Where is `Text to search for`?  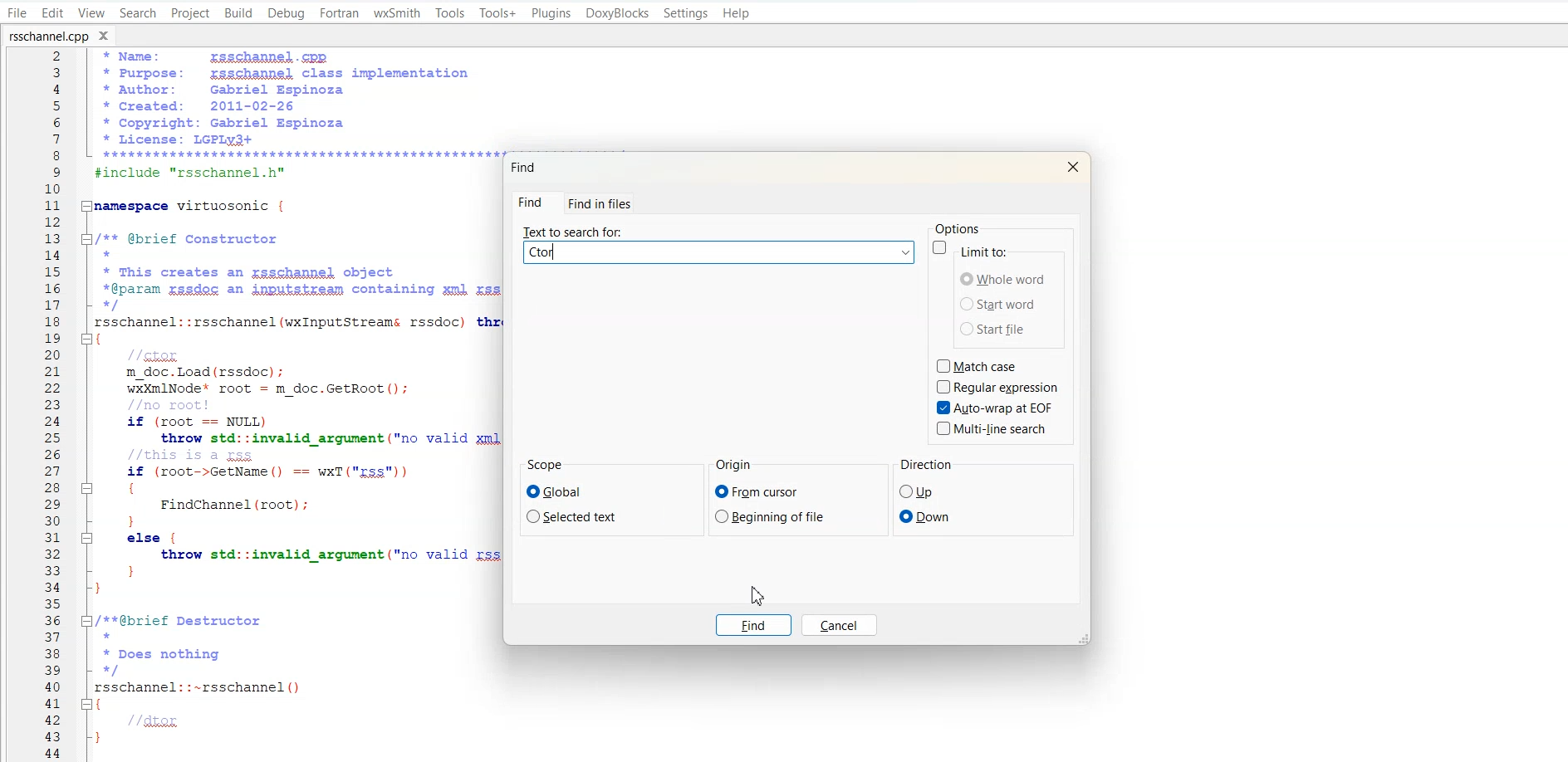
Text to search for is located at coordinates (703, 230).